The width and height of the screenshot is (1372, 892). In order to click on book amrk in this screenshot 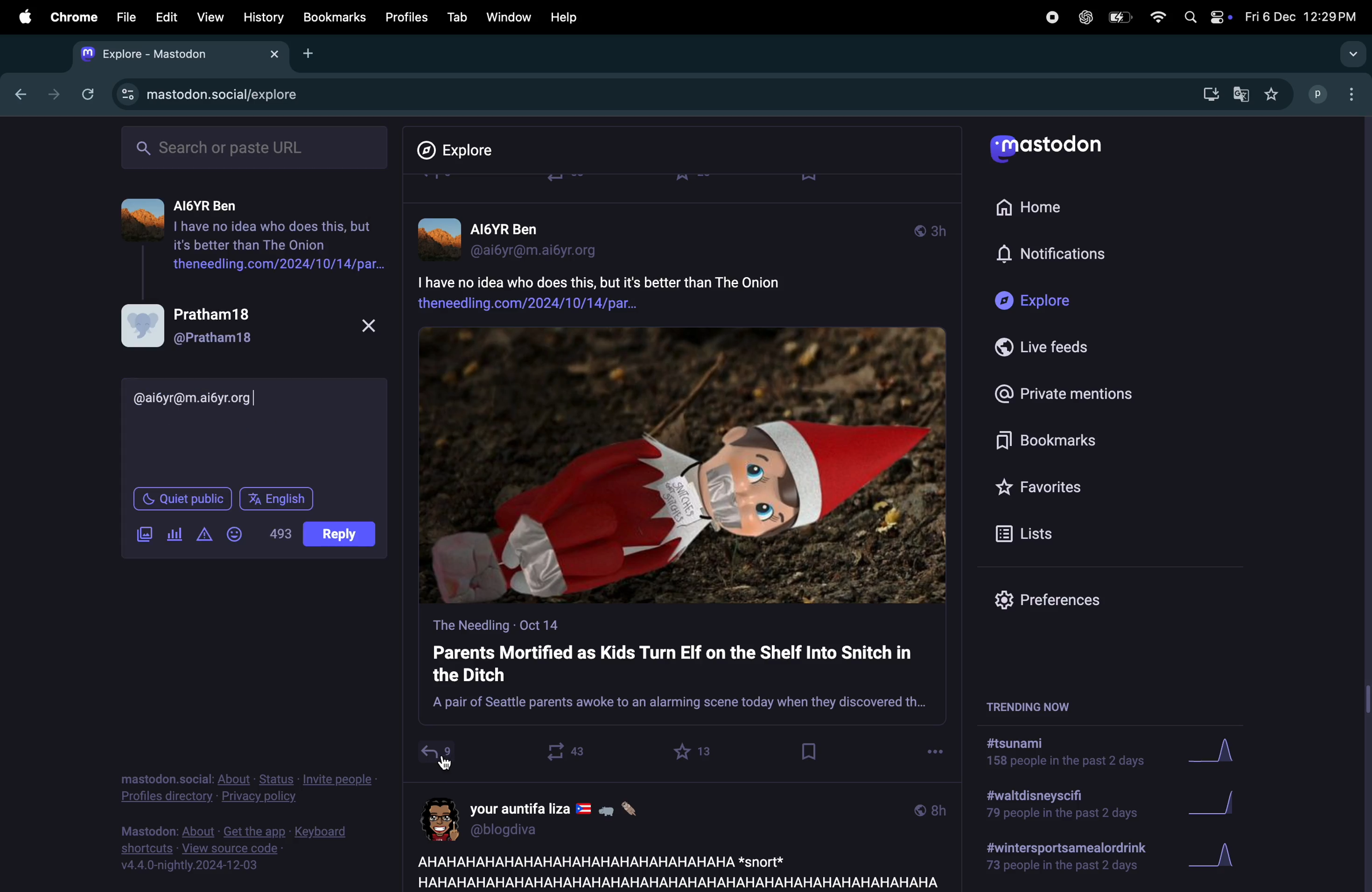, I will do `click(811, 751)`.